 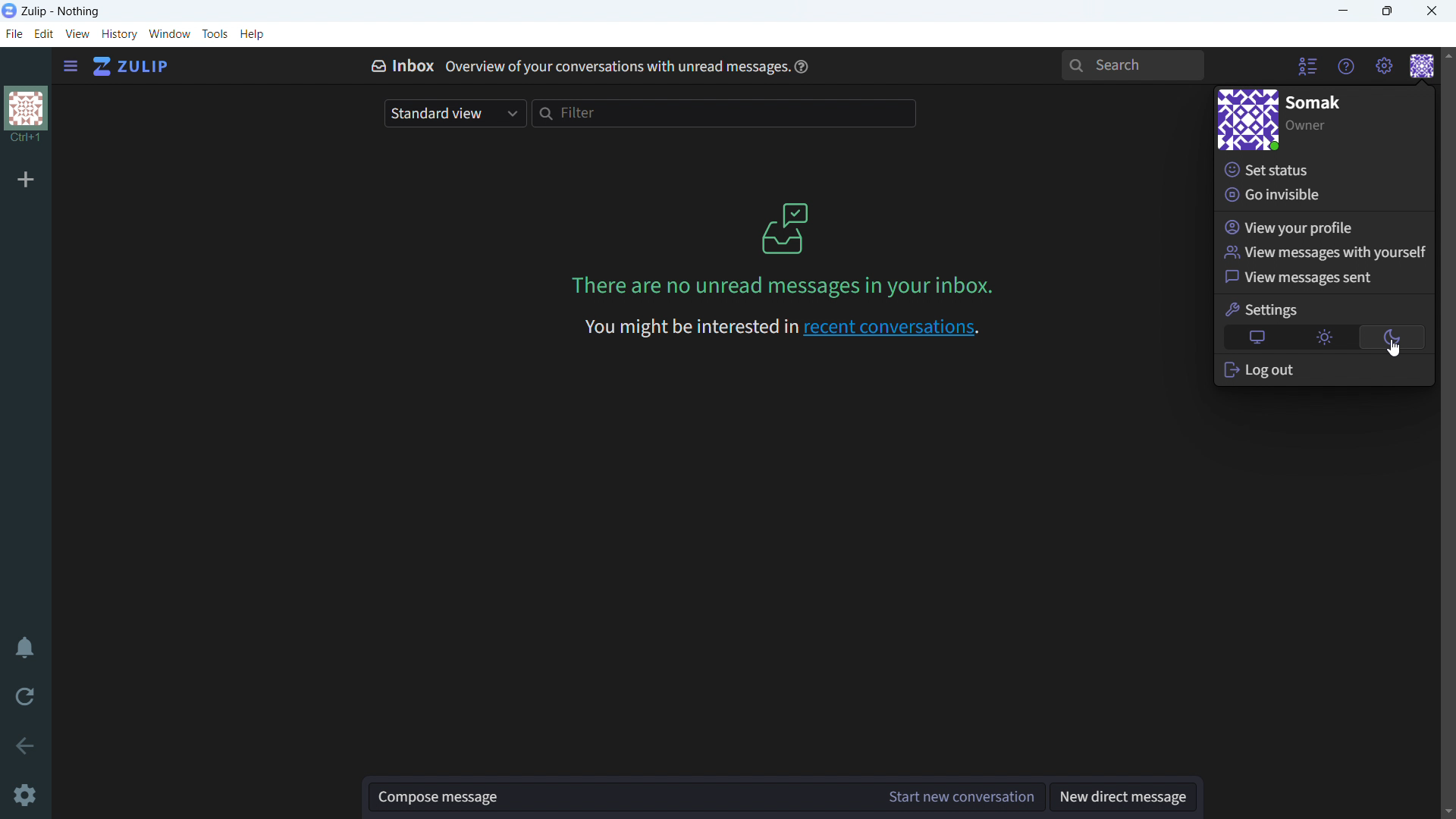 I want to click on open sidebar menu, so click(x=71, y=66).